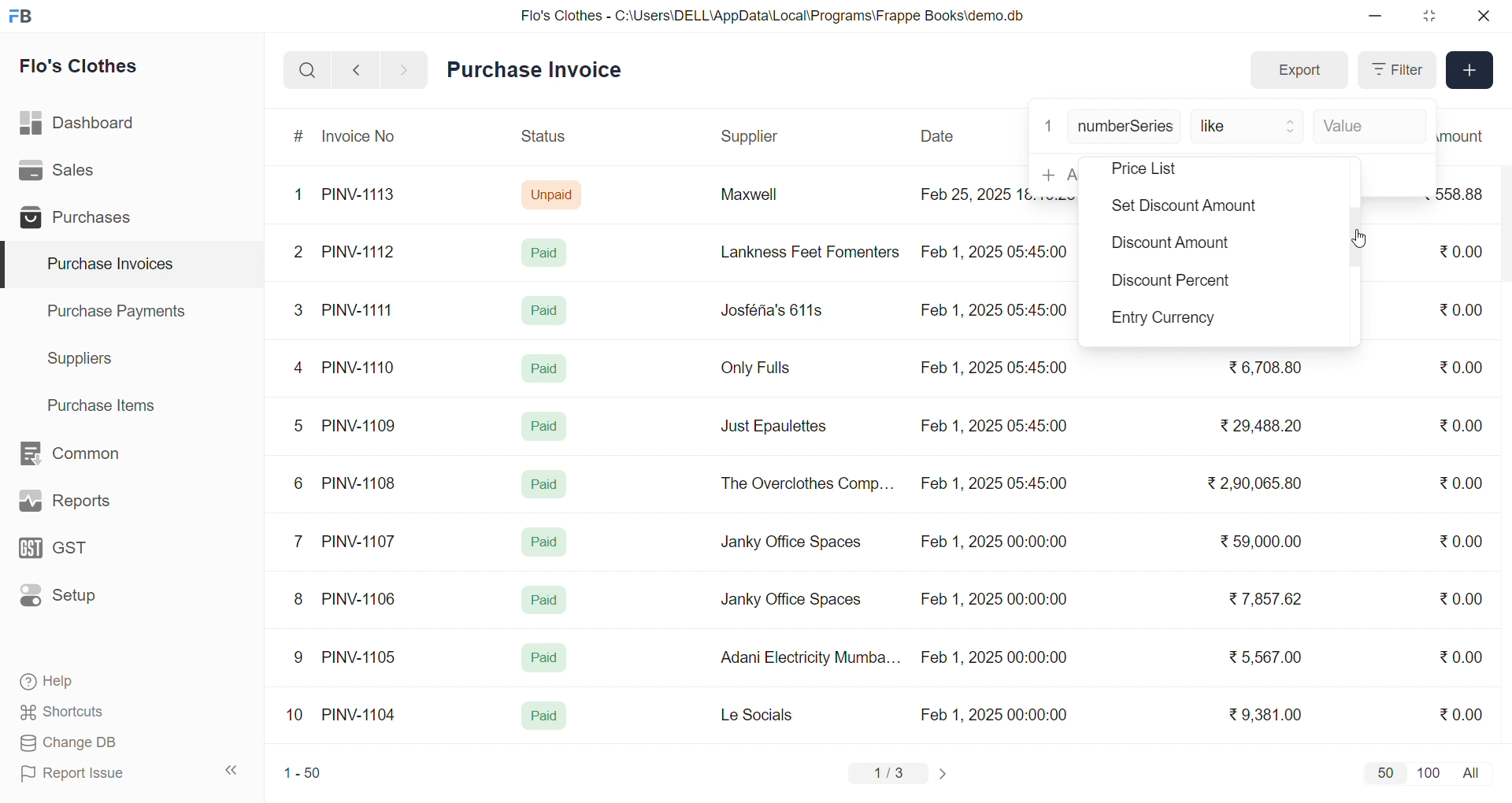 This screenshot has height=803, width=1512. Describe the element at coordinates (945, 773) in the screenshot. I see `change page` at that location.